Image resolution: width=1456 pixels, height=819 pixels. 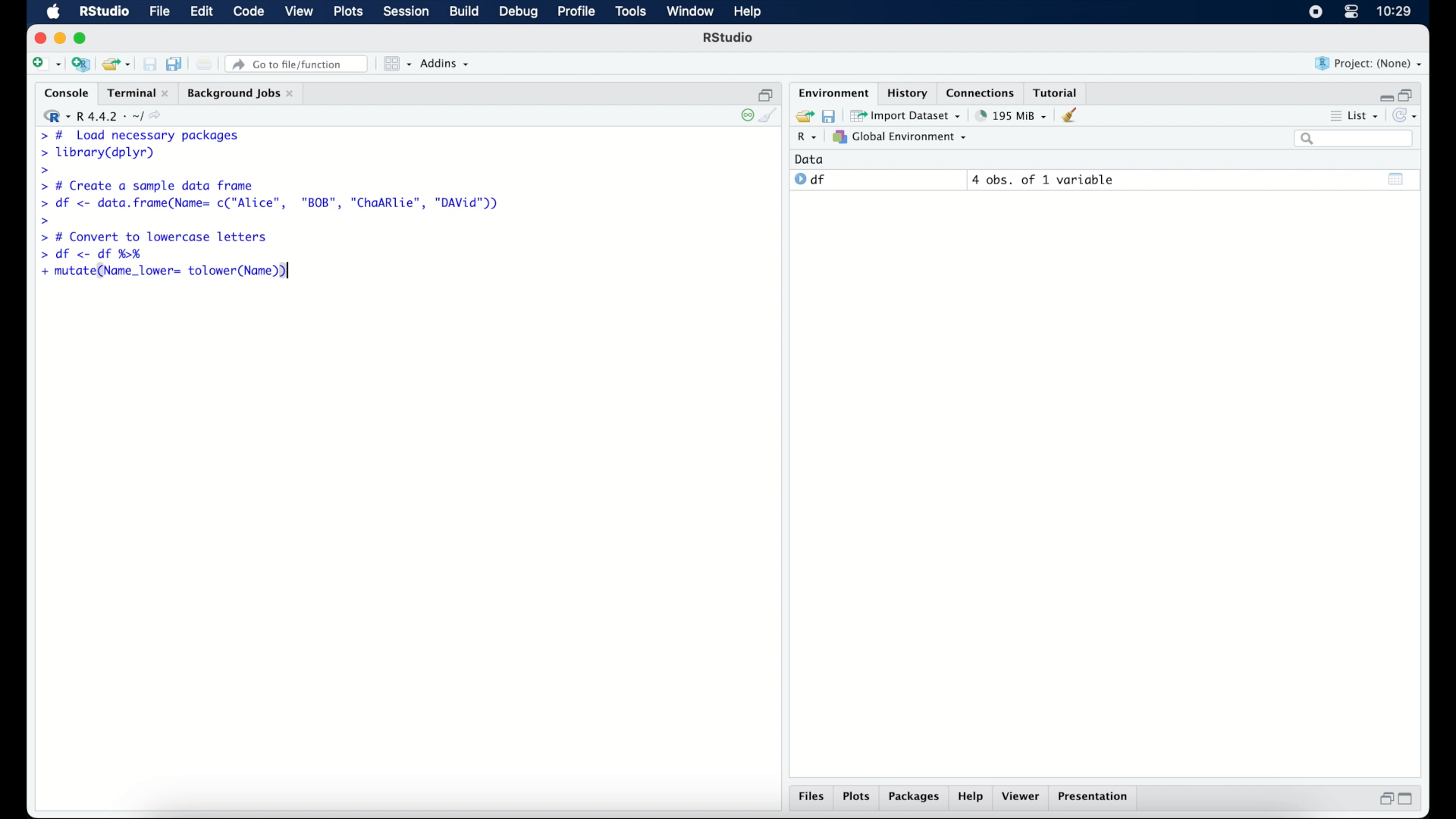 I want to click on df, so click(x=810, y=180).